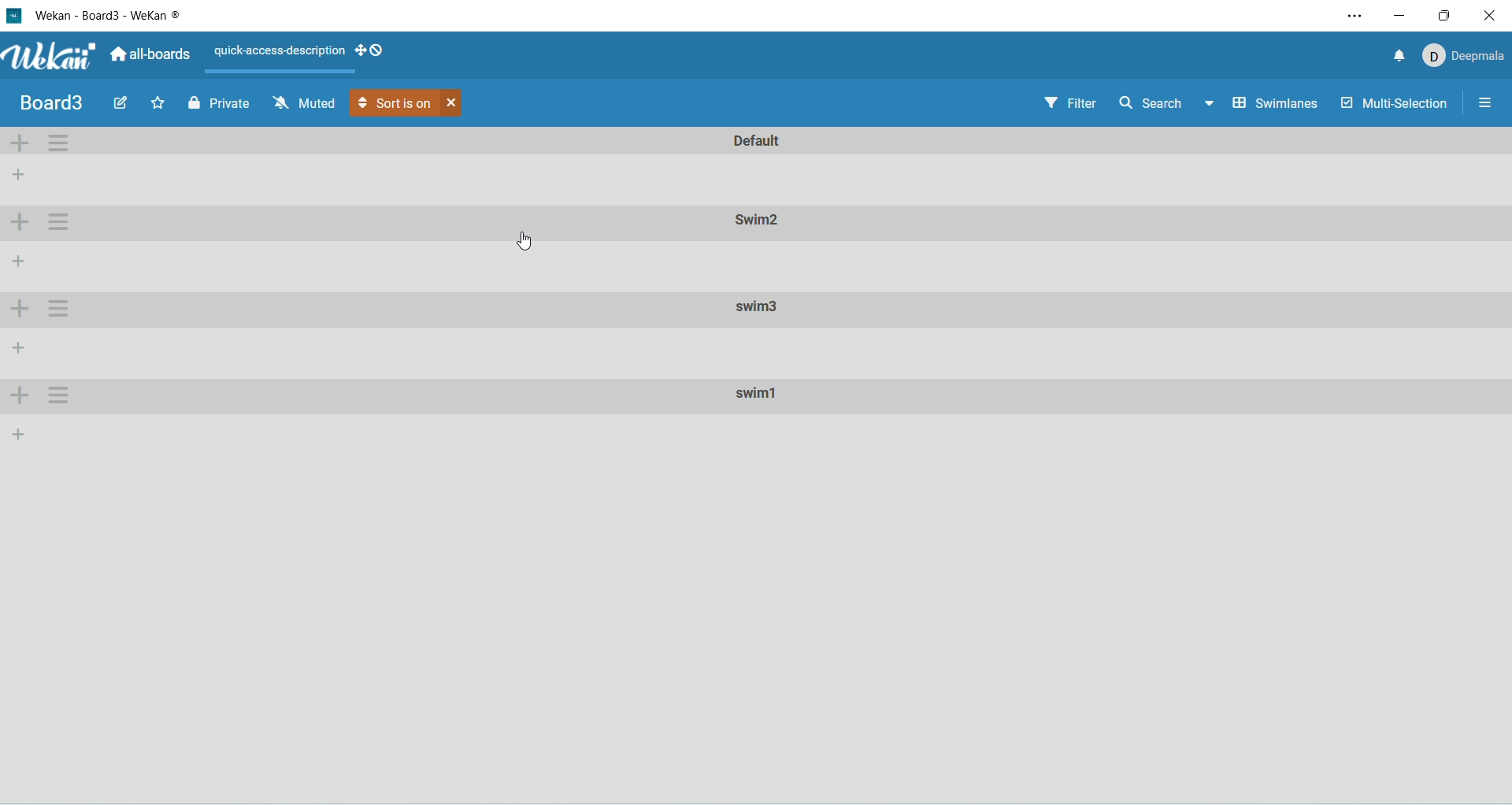 This screenshot has width=1512, height=805. What do you see at coordinates (1354, 16) in the screenshot?
I see `settings and more` at bounding box center [1354, 16].